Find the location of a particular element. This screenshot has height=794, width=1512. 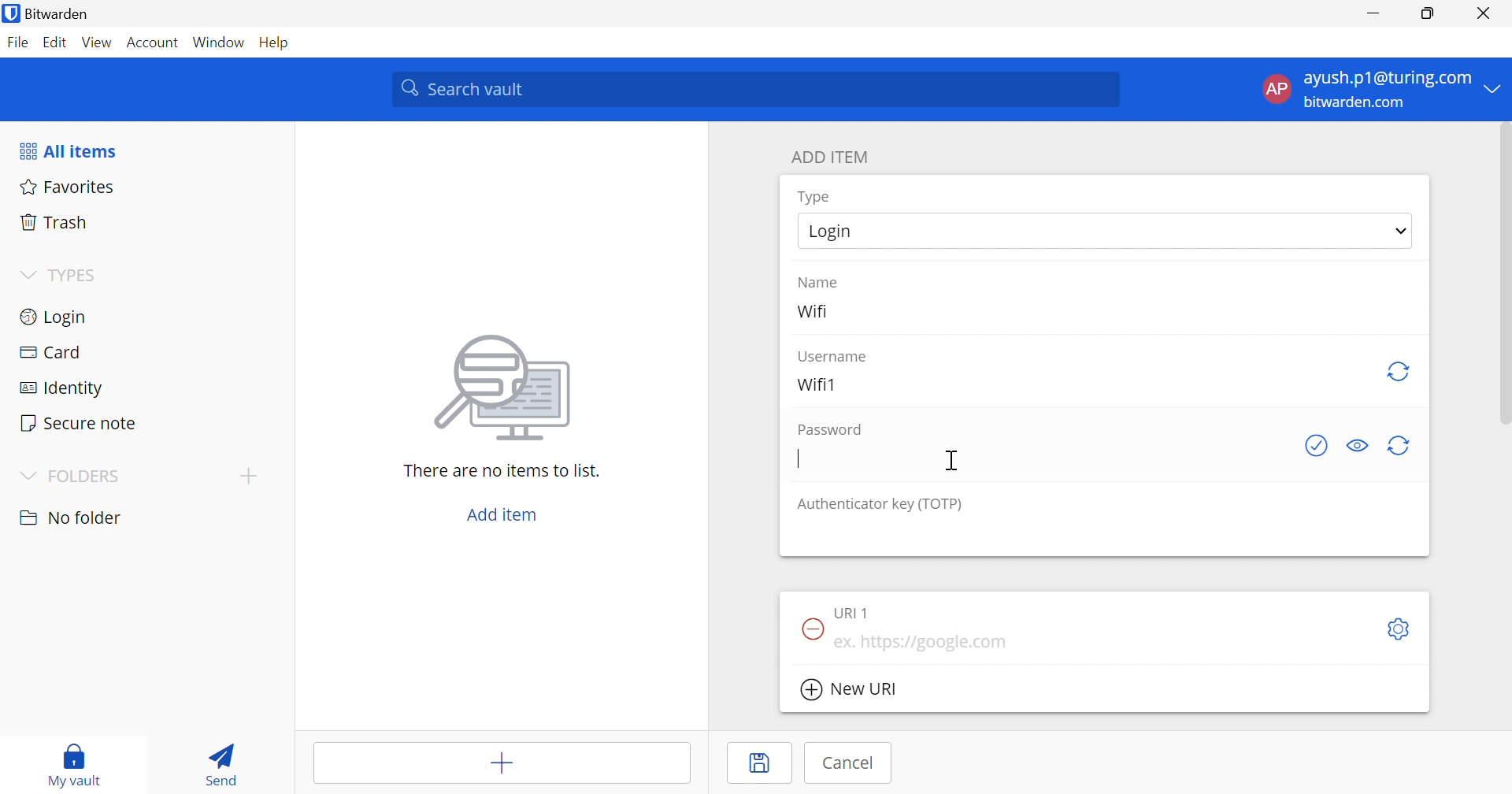

Send is located at coordinates (217, 761).